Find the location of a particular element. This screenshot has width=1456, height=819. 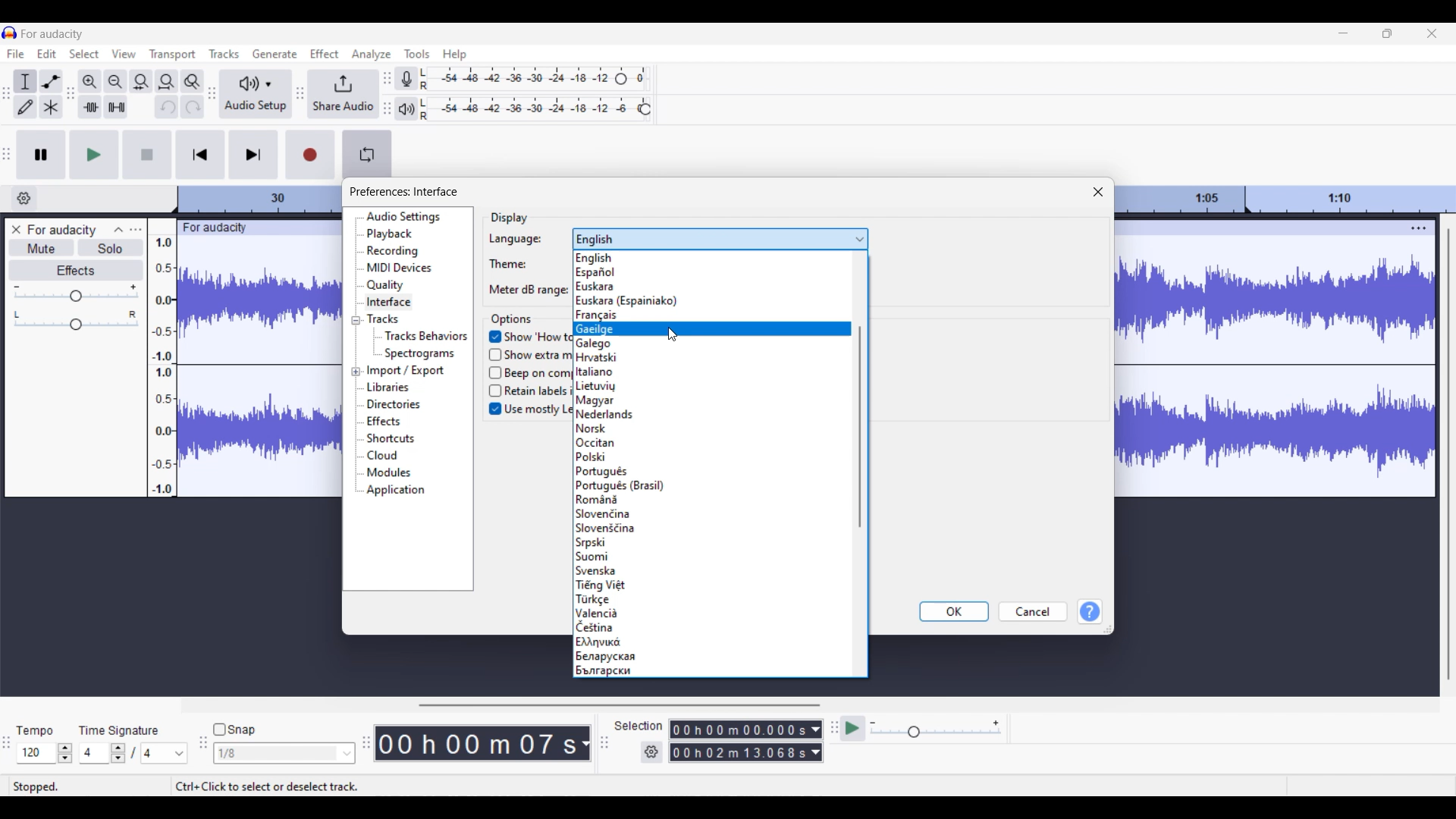

Audio setup is located at coordinates (256, 93).